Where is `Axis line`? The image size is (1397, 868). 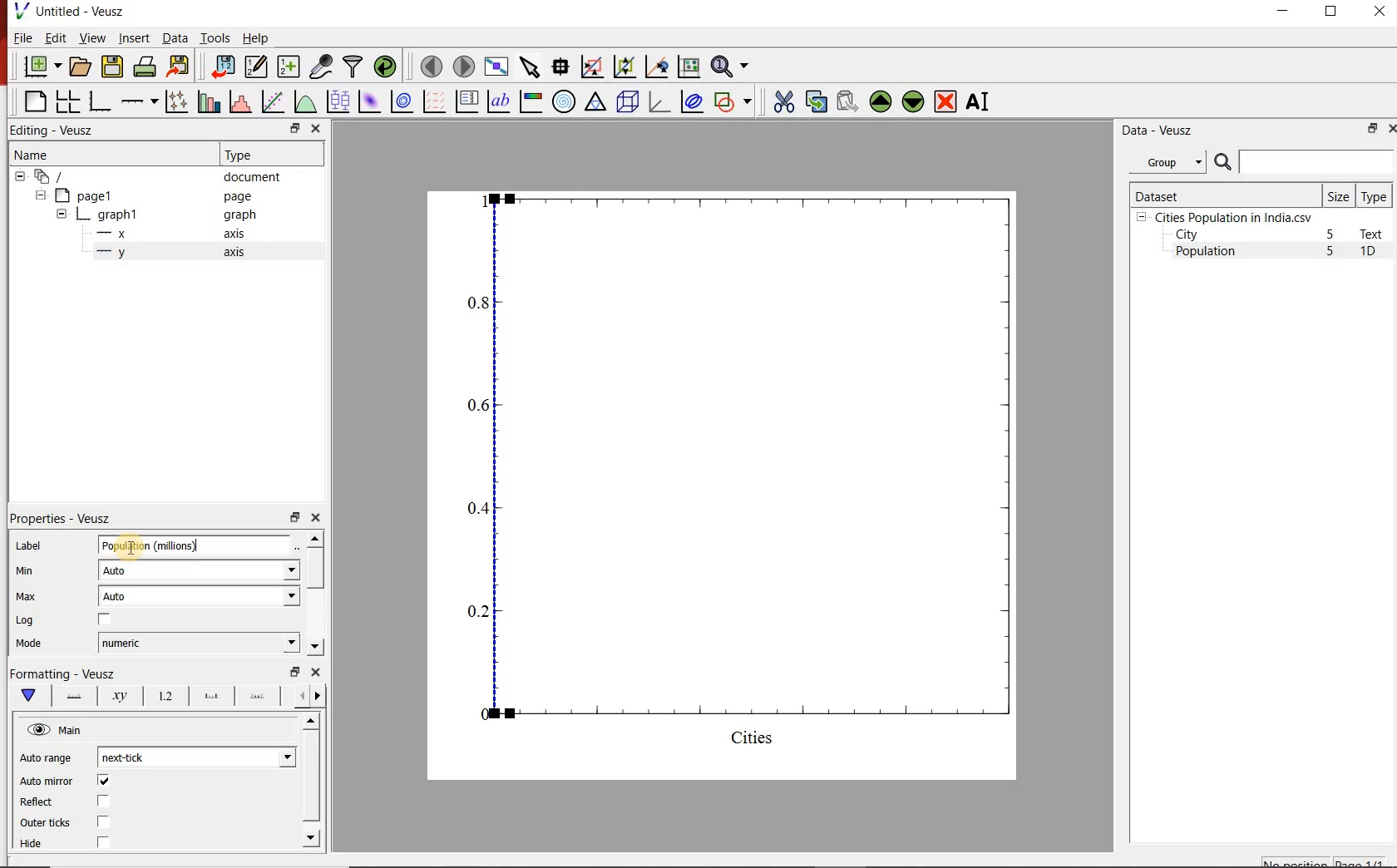
Axis line is located at coordinates (73, 698).